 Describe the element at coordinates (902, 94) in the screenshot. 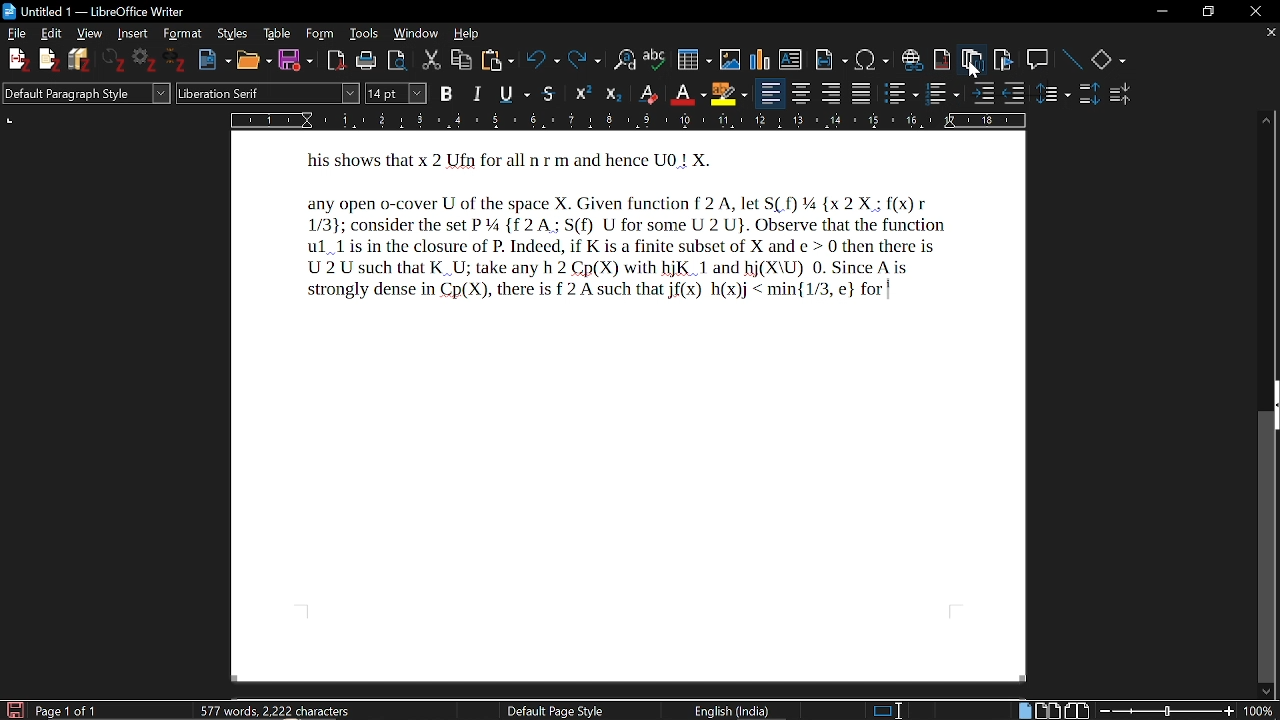

I see `Togle ordered list` at that location.